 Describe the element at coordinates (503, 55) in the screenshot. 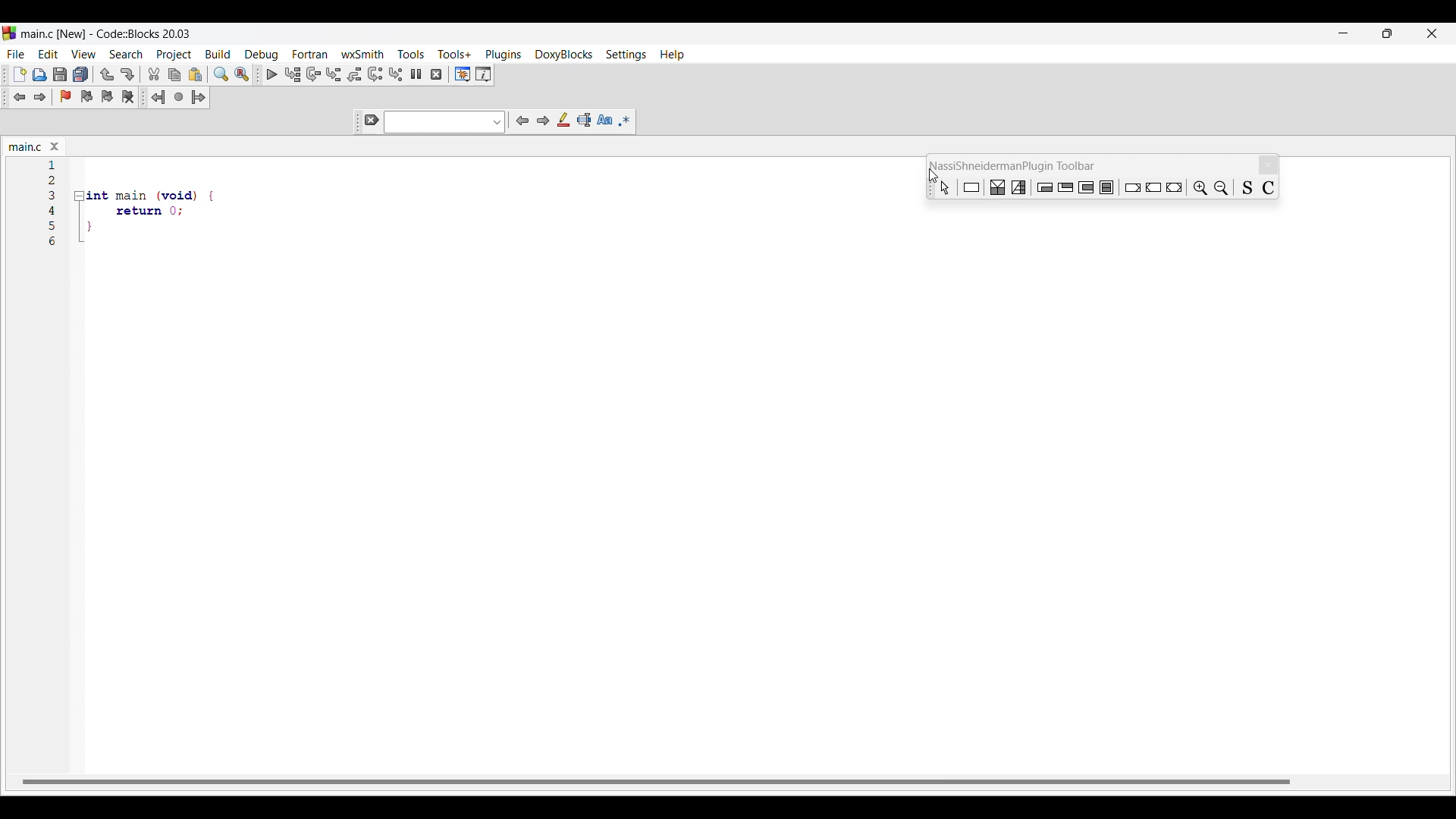

I see `Plugins menu` at that location.